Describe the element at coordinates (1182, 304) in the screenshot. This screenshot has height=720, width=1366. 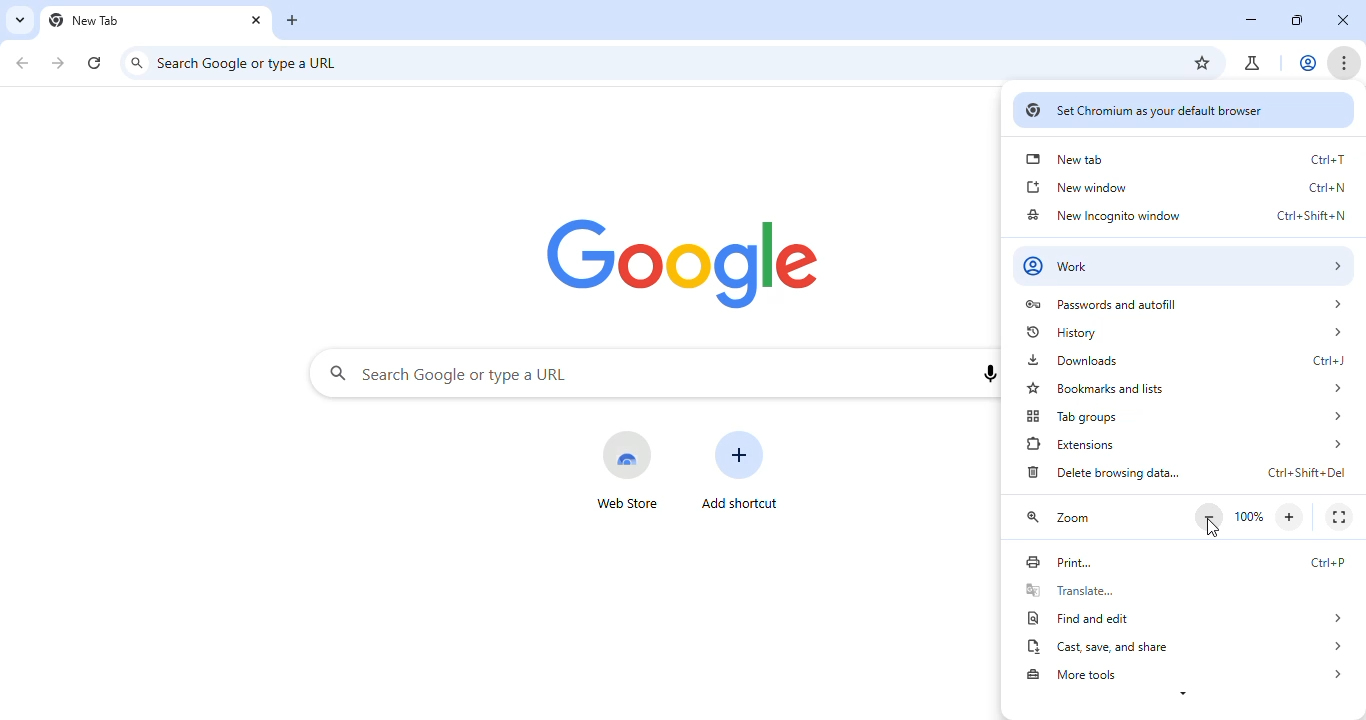
I see `password and autofill` at that location.